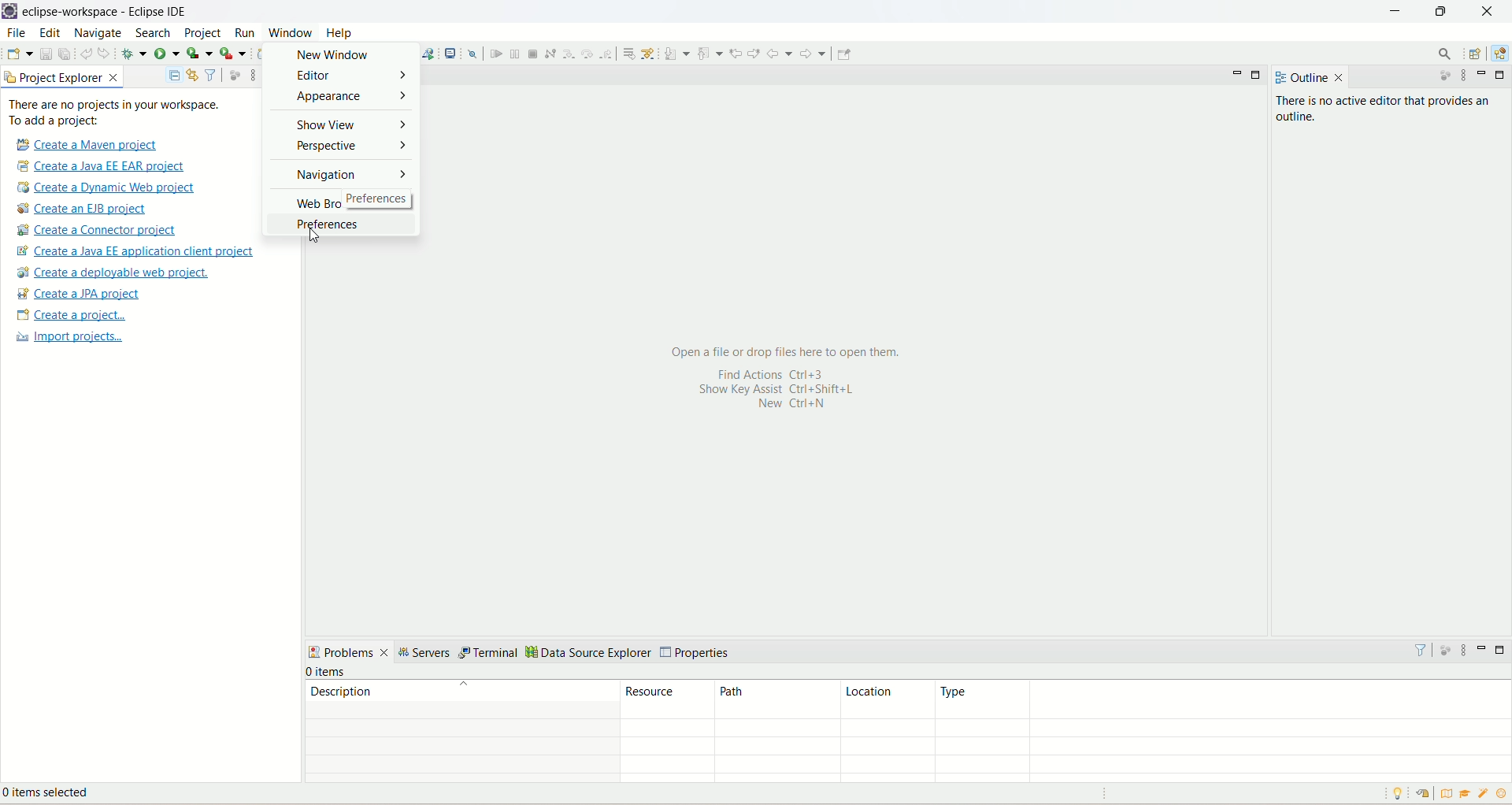 The height and width of the screenshot is (805, 1512). I want to click on Show Key Assist Ctrl+Shift+L, so click(793, 390).